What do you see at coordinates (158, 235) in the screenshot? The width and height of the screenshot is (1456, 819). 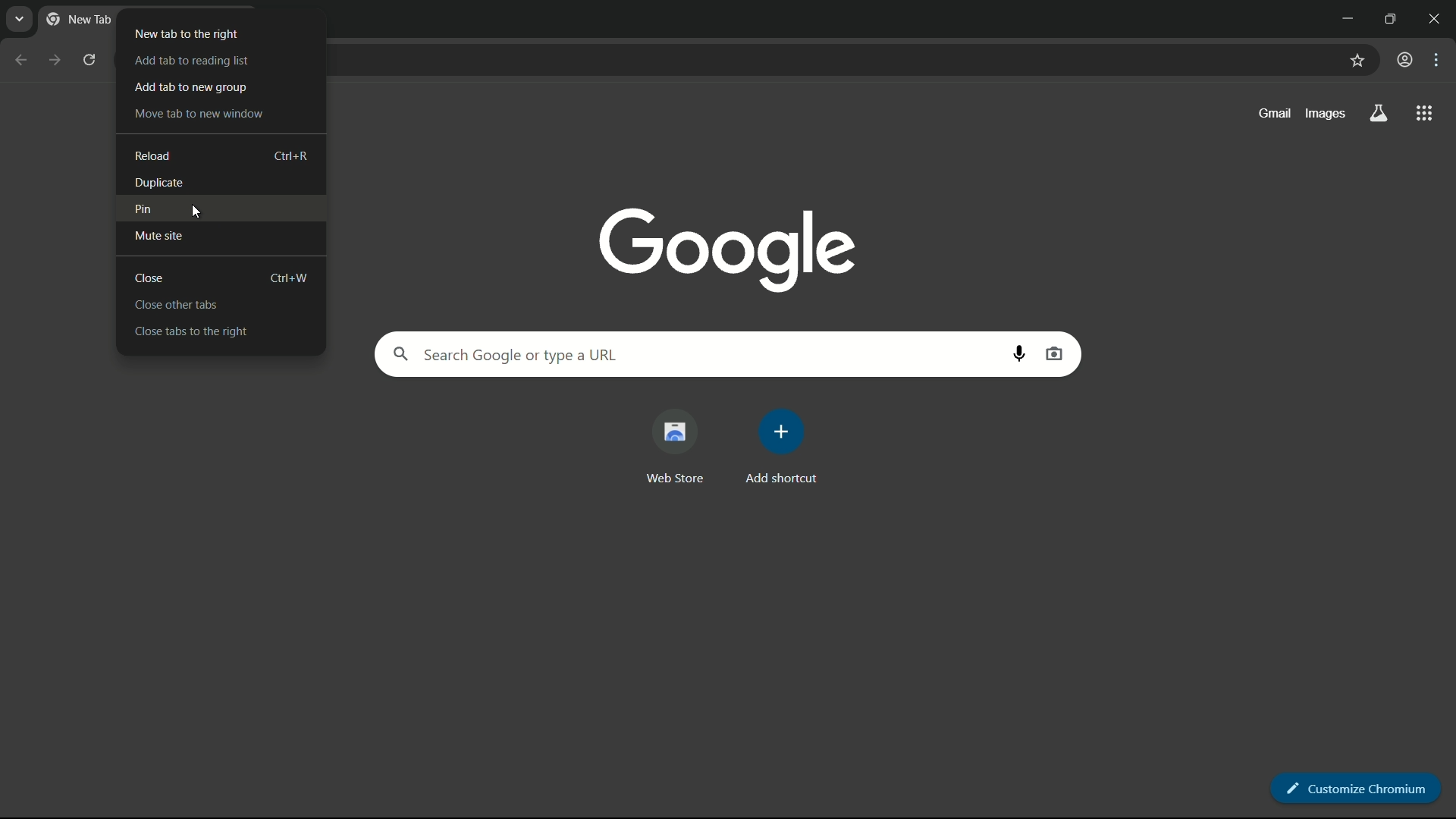 I see `mute site` at bounding box center [158, 235].